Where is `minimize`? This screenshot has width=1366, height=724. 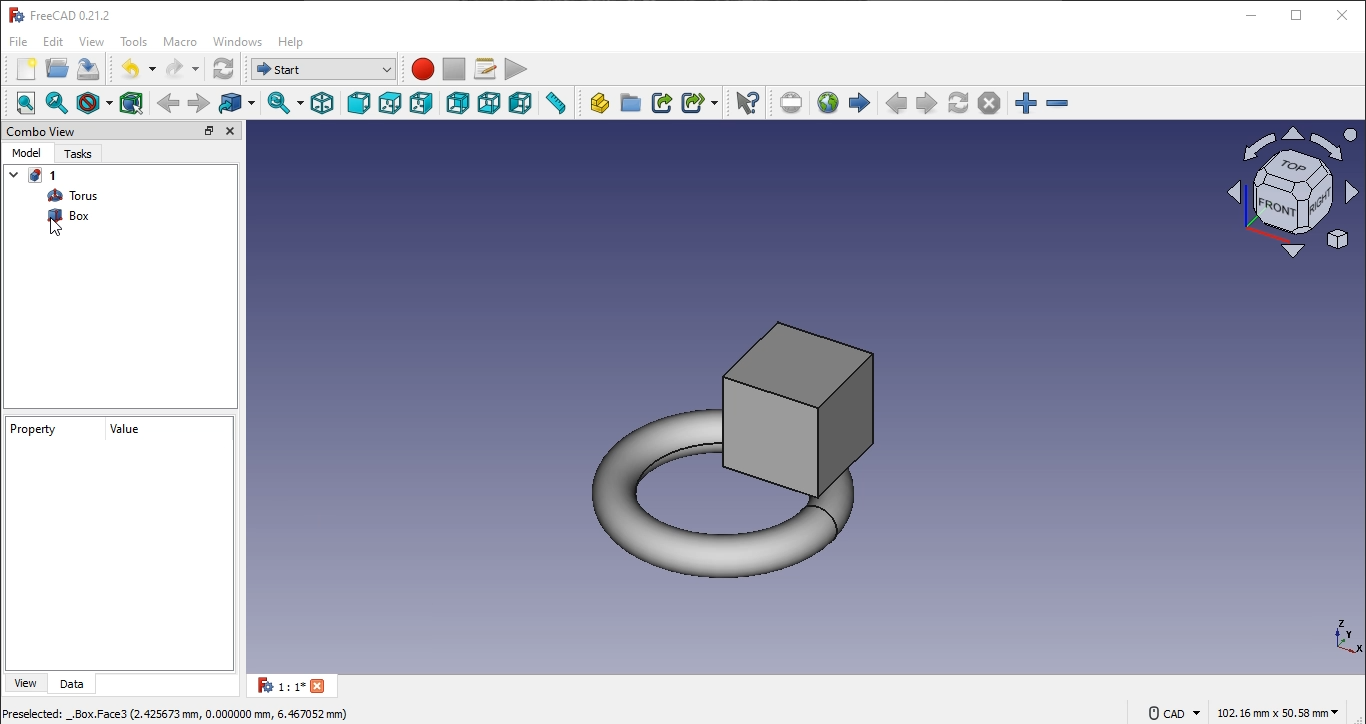
minimize is located at coordinates (1252, 14).